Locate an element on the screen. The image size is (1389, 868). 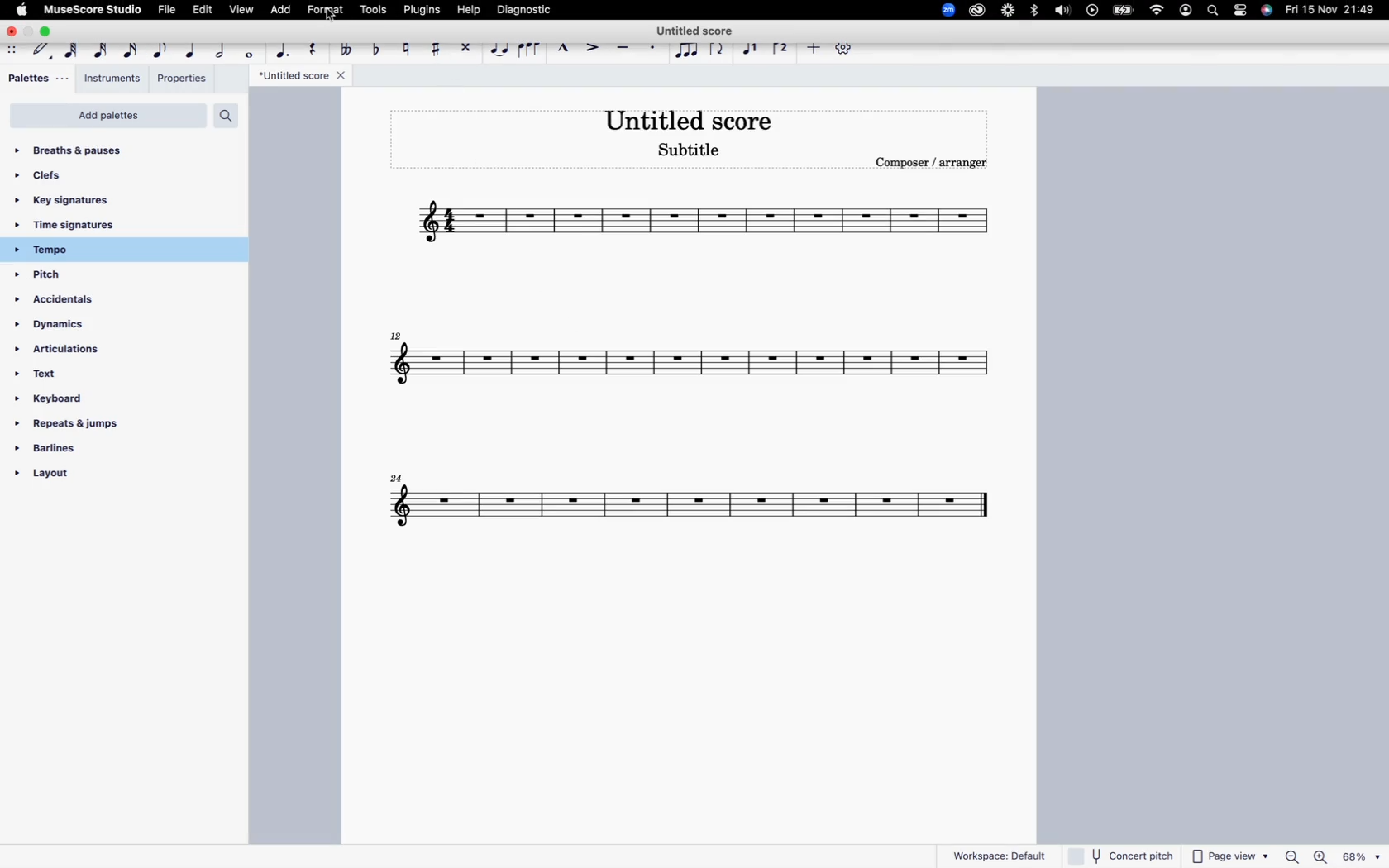
musescore studio is located at coordinates (92, 9).